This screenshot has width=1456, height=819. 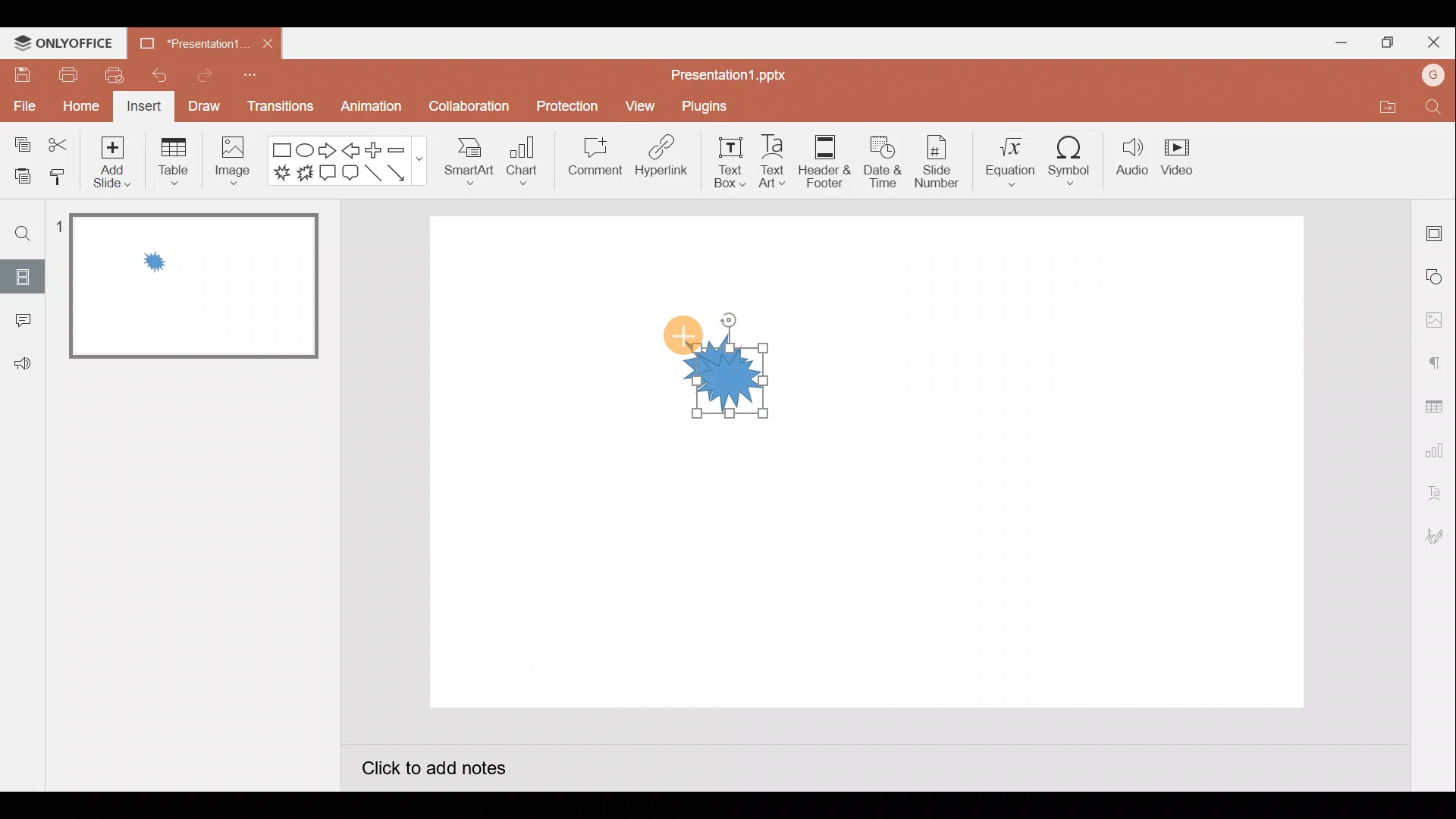 I want to click on Customize quick access toolbar, so click(x=254, y=77).